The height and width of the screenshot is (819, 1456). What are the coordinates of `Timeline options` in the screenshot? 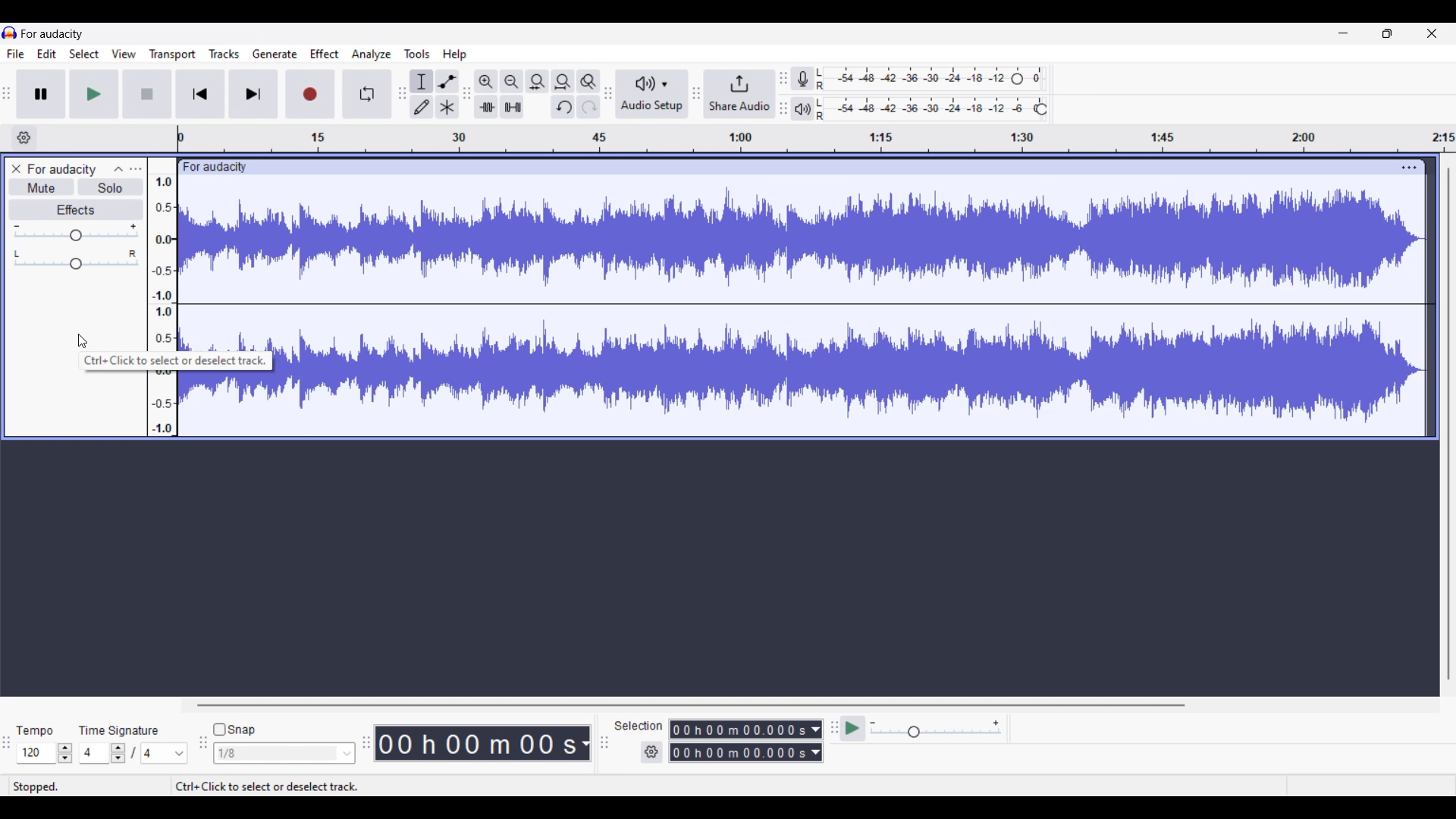 It's located at (25, 138).